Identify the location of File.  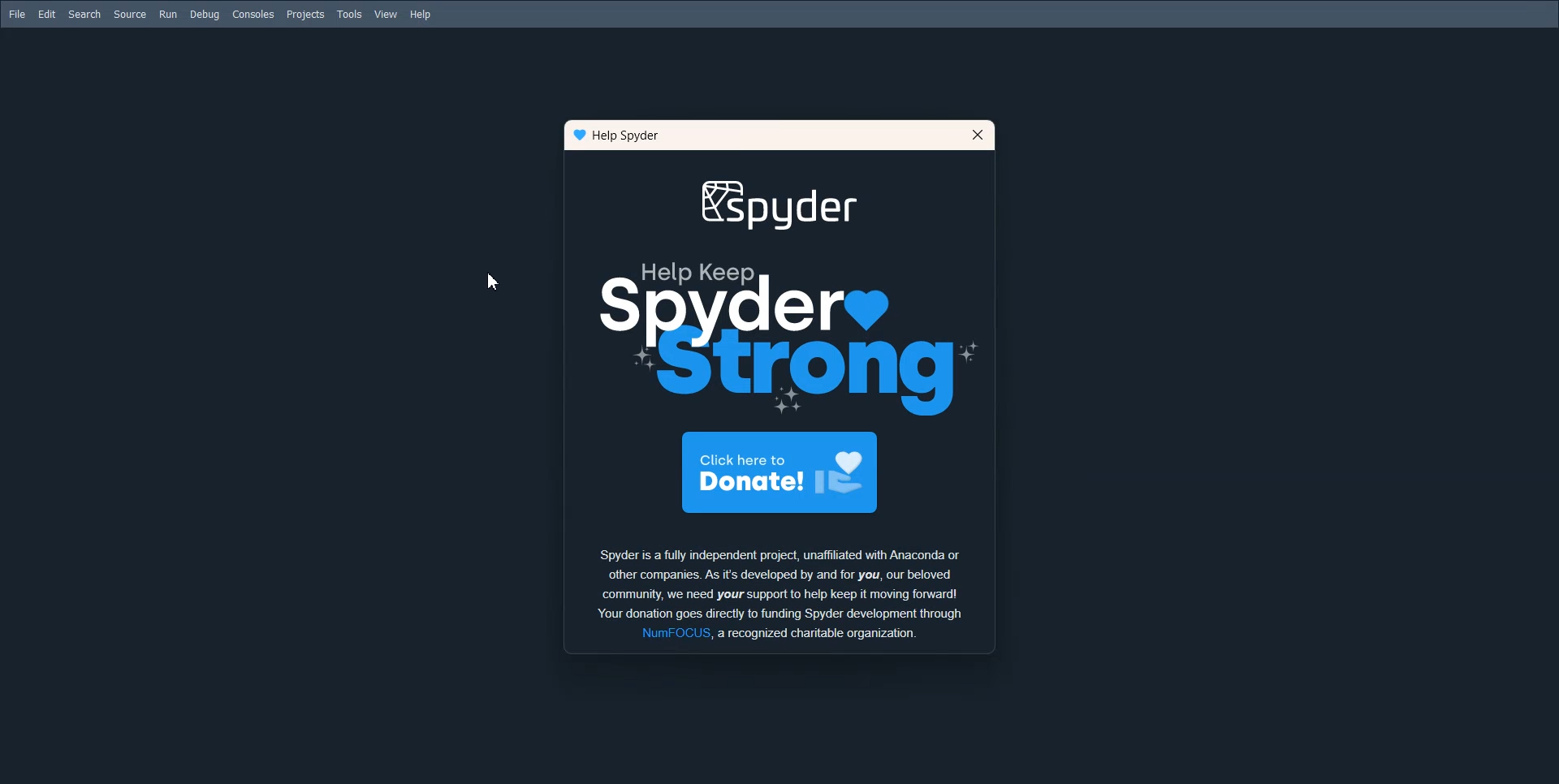
(17, 14).